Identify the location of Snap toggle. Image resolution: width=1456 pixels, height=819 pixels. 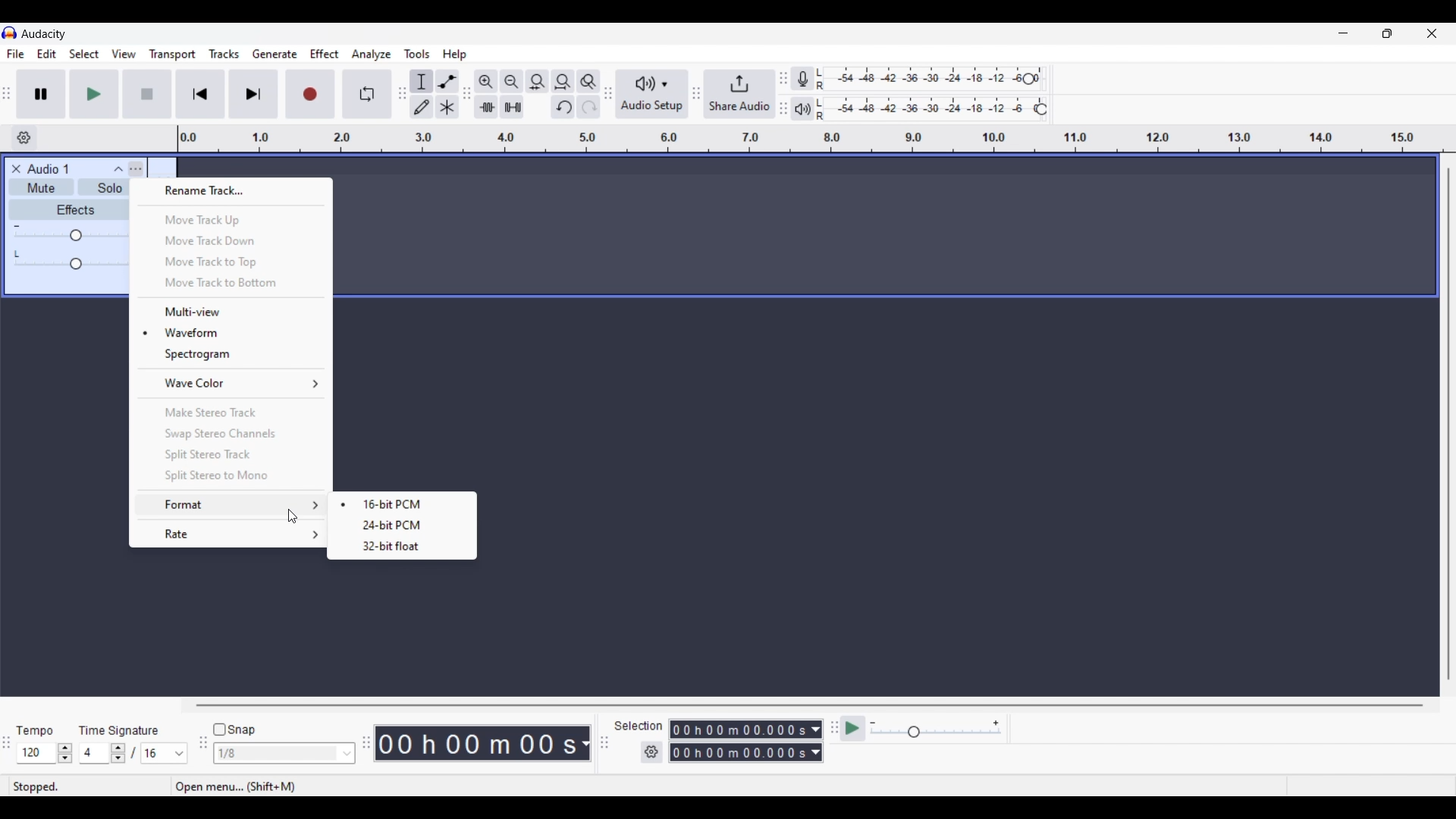
(235, 730).